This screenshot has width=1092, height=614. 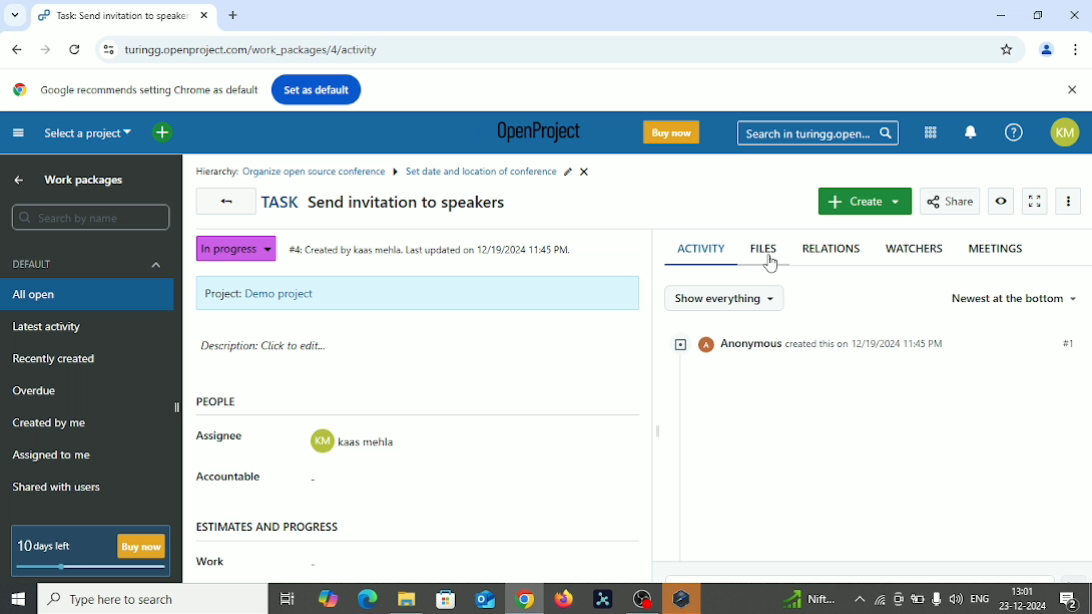 I want to click on Show everything, so click(x=724, y=297).